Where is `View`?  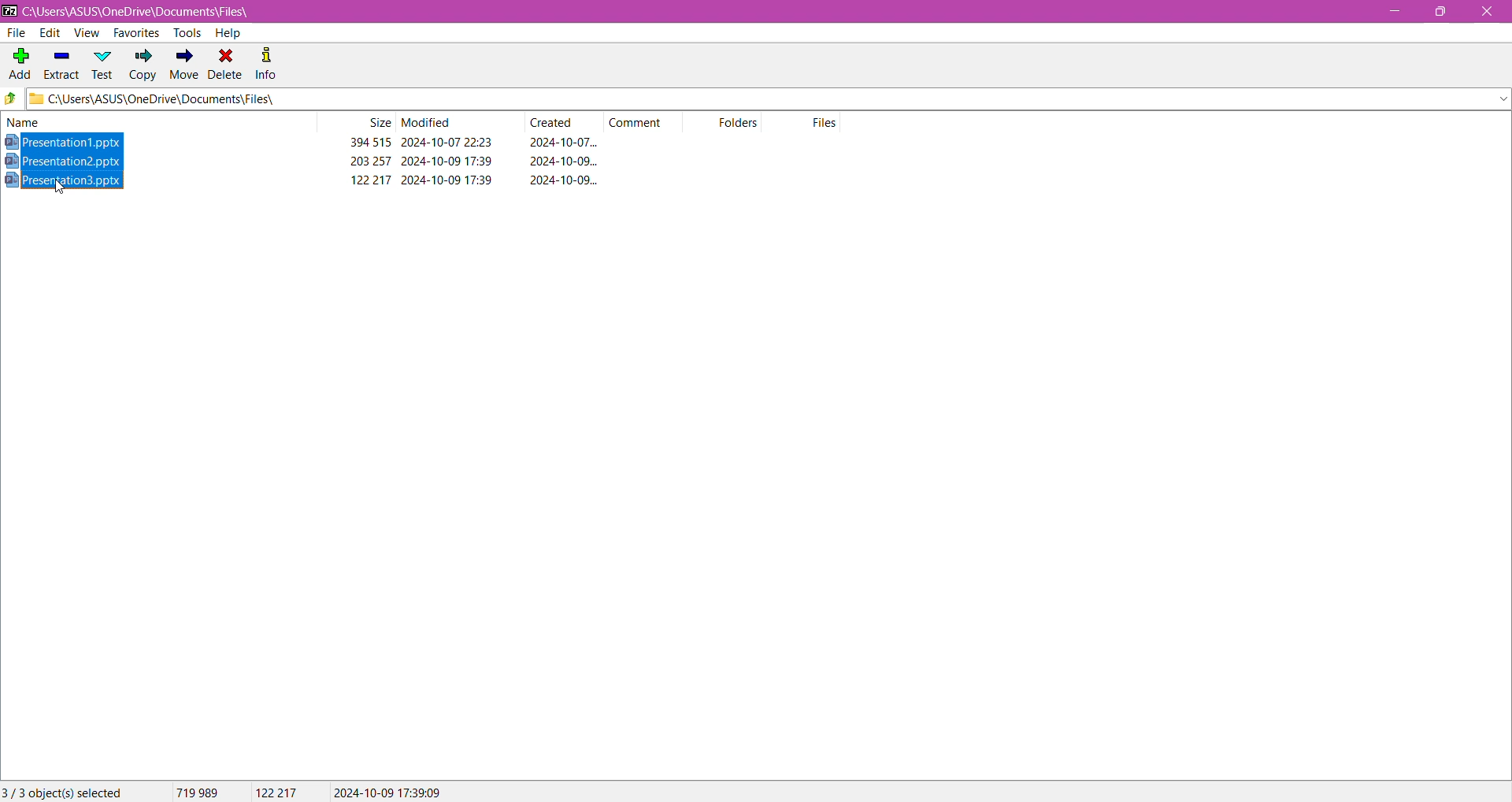 View is located at coordinates (86, 33).